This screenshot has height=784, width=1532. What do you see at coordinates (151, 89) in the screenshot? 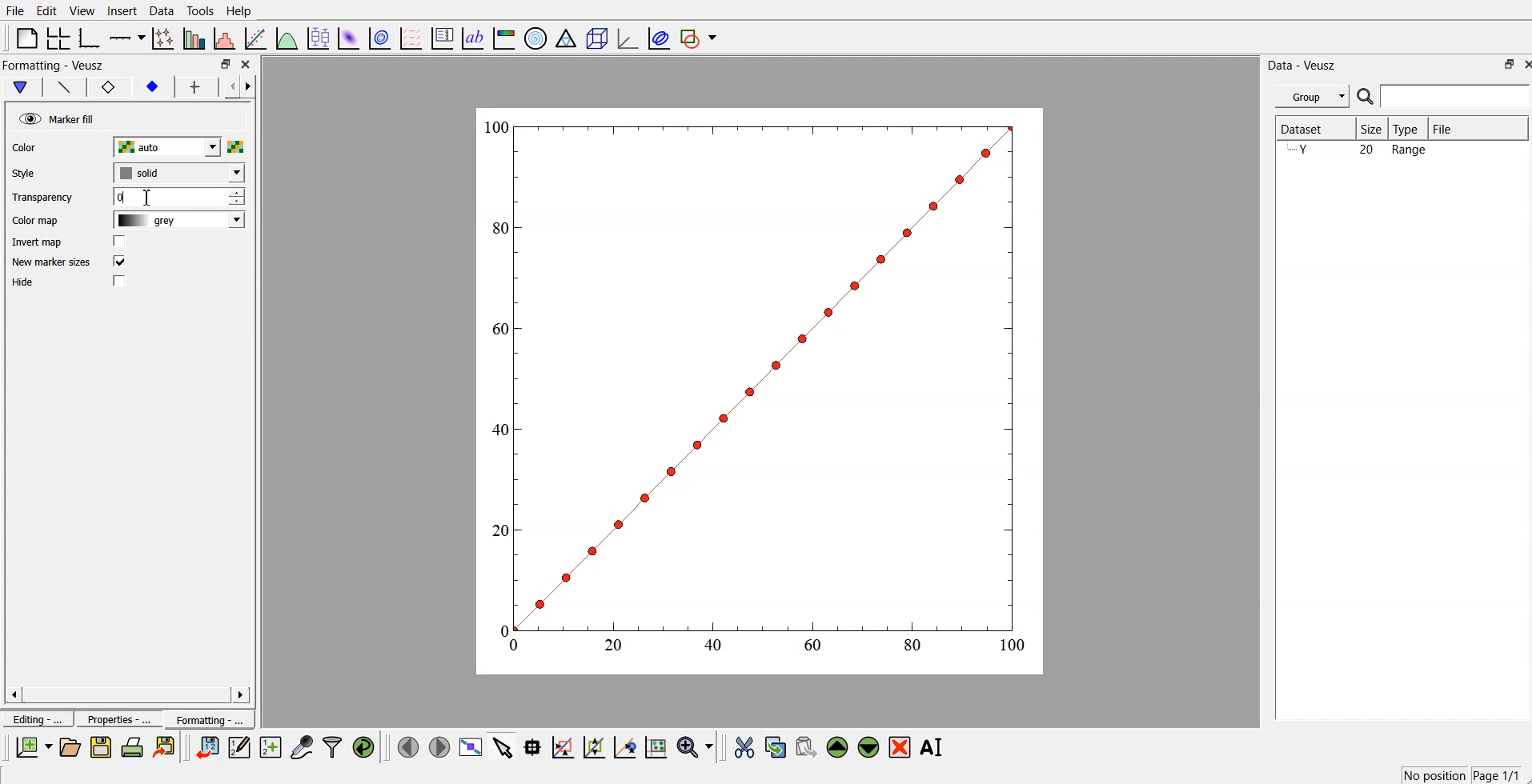
I see `fill` at bounding box center [151, 89].